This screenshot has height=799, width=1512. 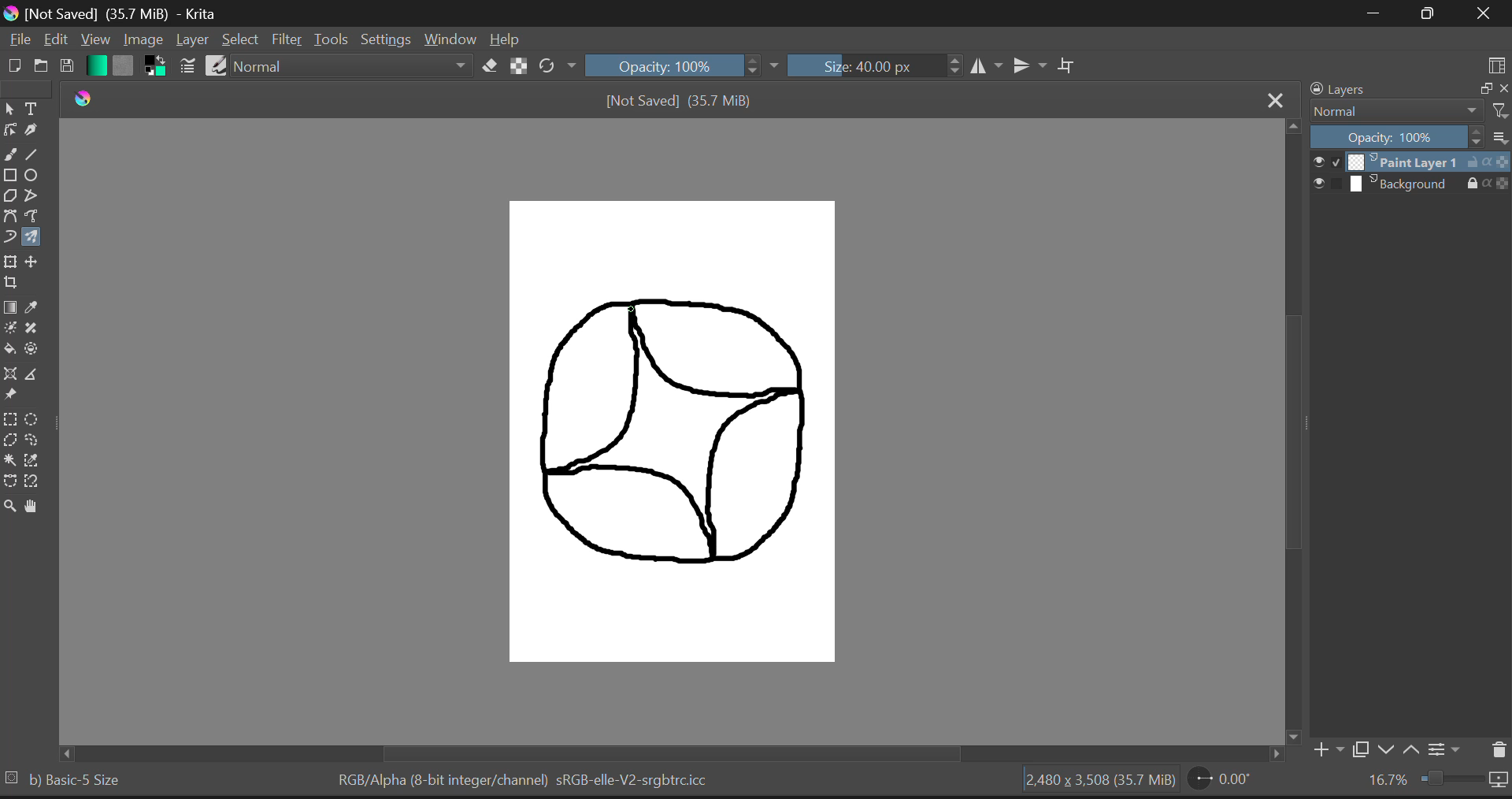 What do you see at coordinates (354, 65) in the screenshot?
I see `Normal` at bounding box center [354, 65].